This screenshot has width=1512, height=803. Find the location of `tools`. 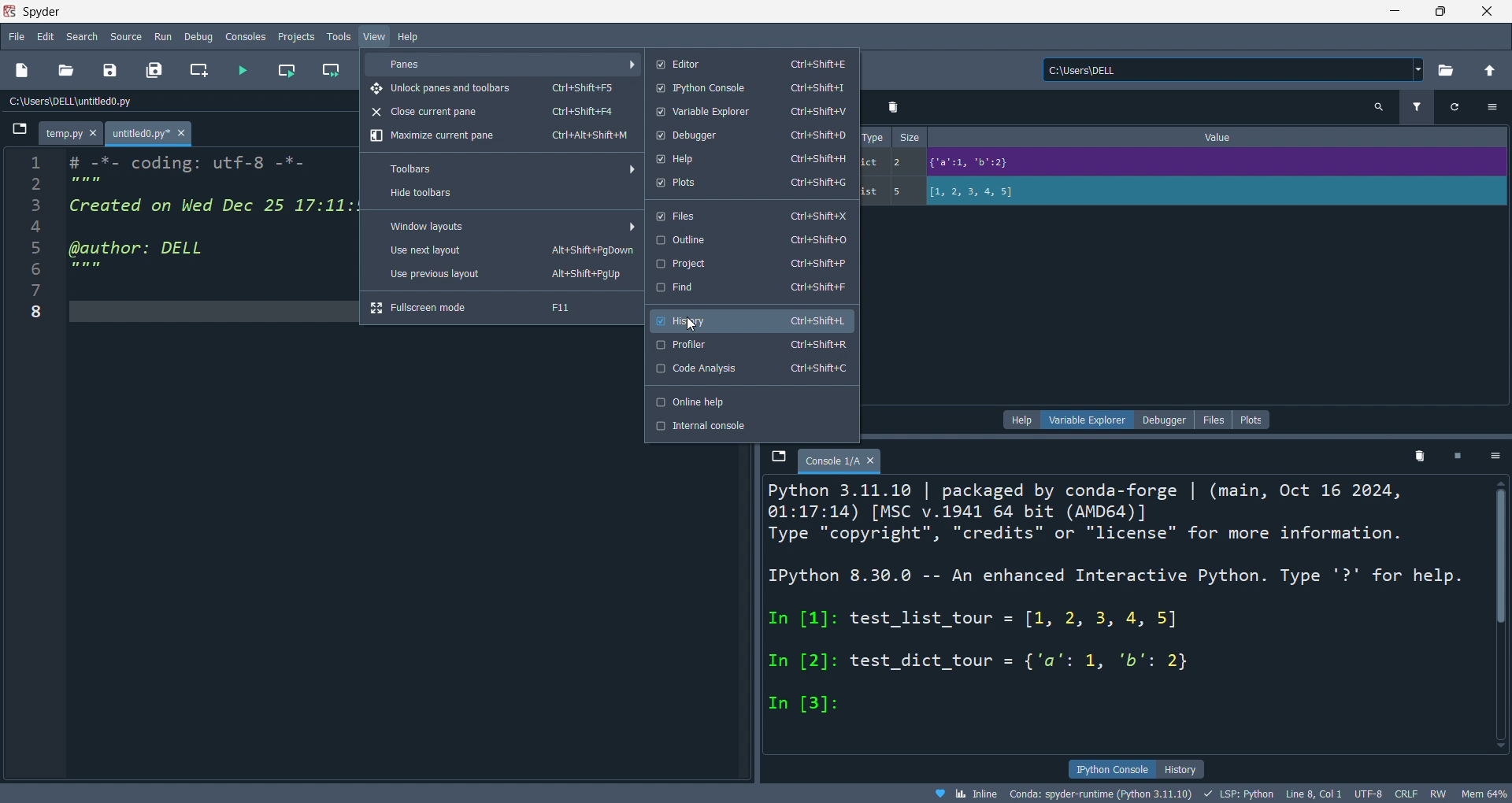

tools is located at coordinates (337, 37).